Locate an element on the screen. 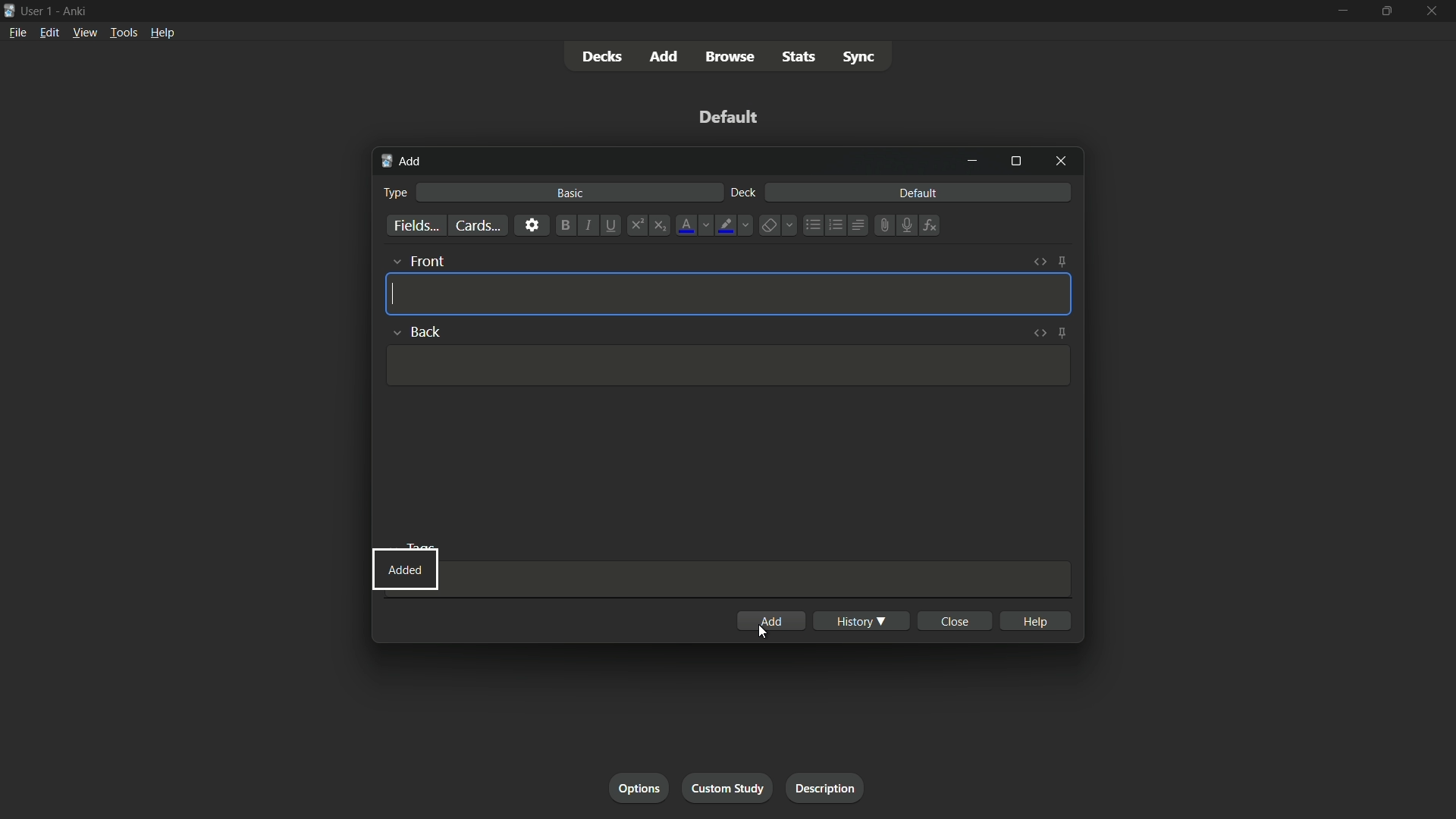  add is located at coordinates (770, 621).